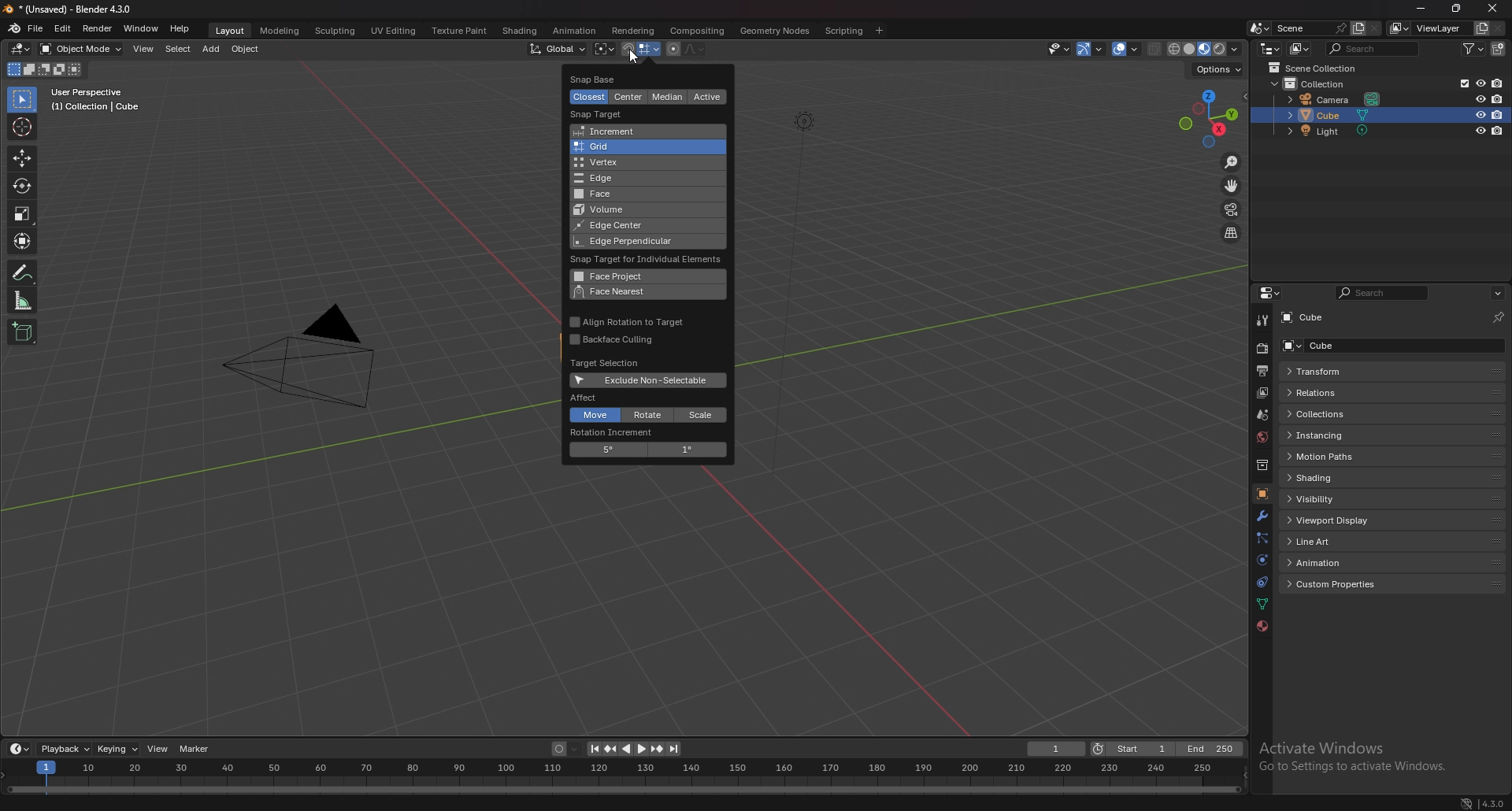 The height and width of the screenshot is (811, 1512). I want to click on output, so click(1262, 371).